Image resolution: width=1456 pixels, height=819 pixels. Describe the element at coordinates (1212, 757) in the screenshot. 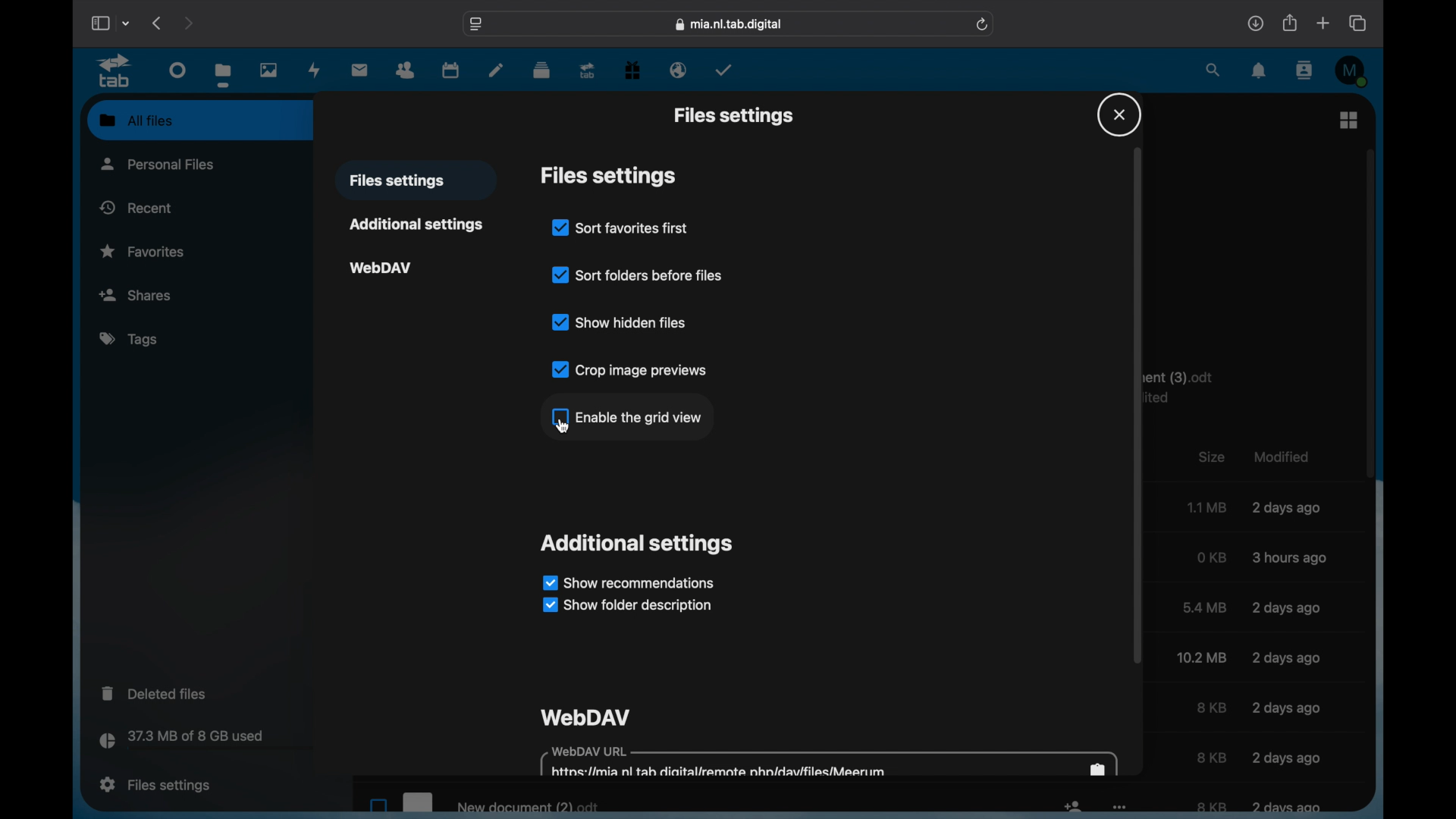

I see `size` at that location.